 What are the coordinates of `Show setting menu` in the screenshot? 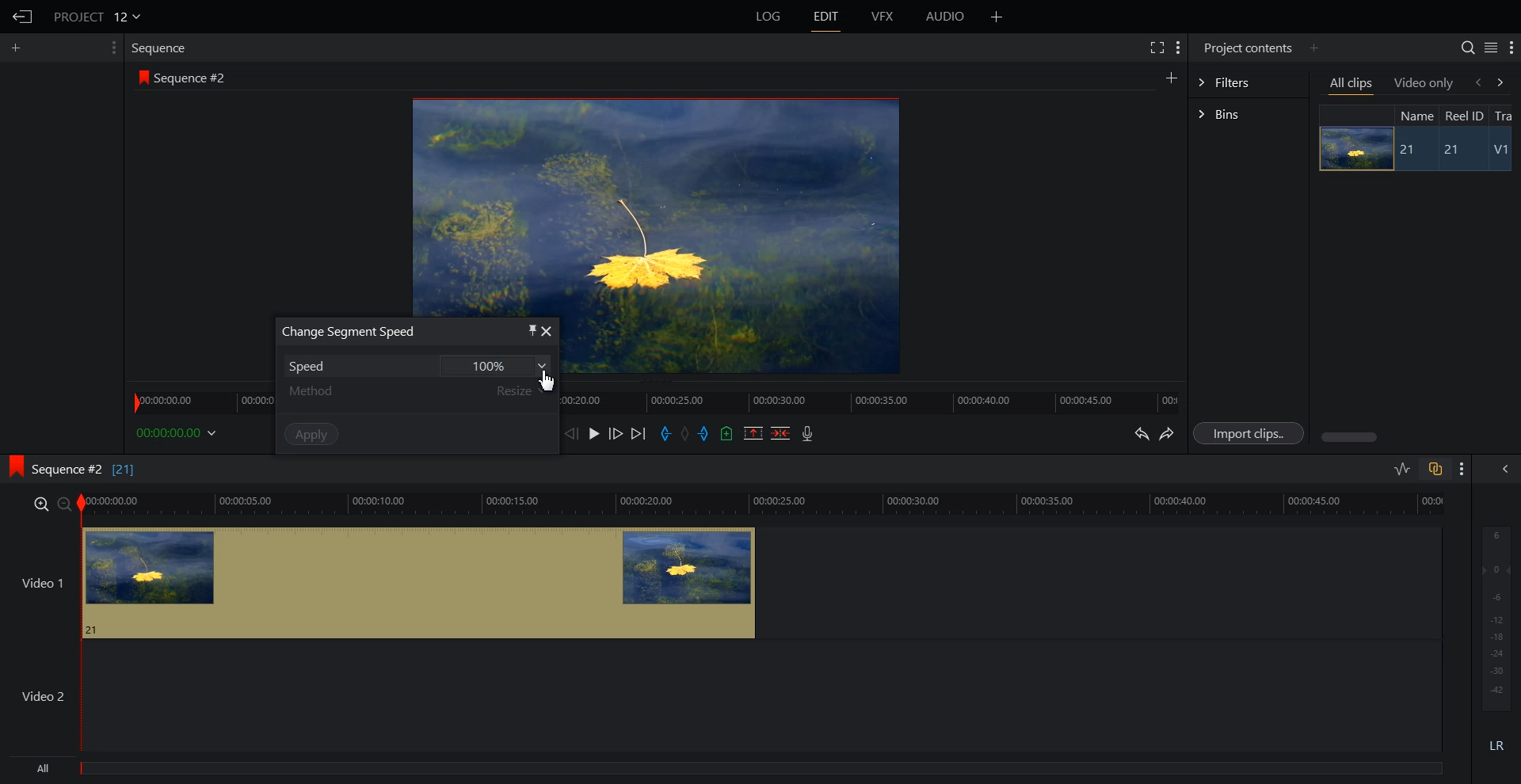 It's located at (112, 48).